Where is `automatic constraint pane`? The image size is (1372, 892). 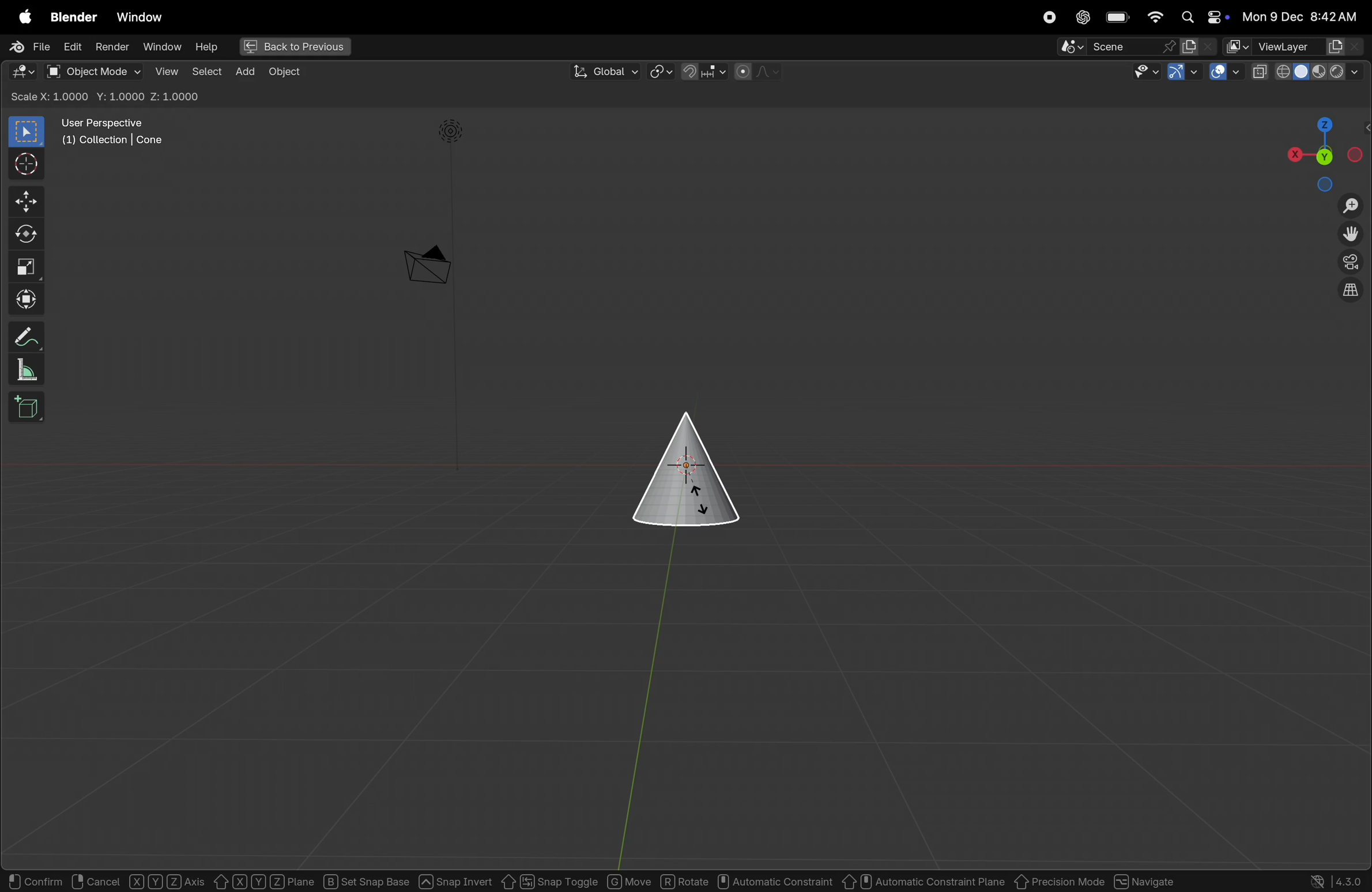 automatic constraint pane is located at coordinates (920, 880).